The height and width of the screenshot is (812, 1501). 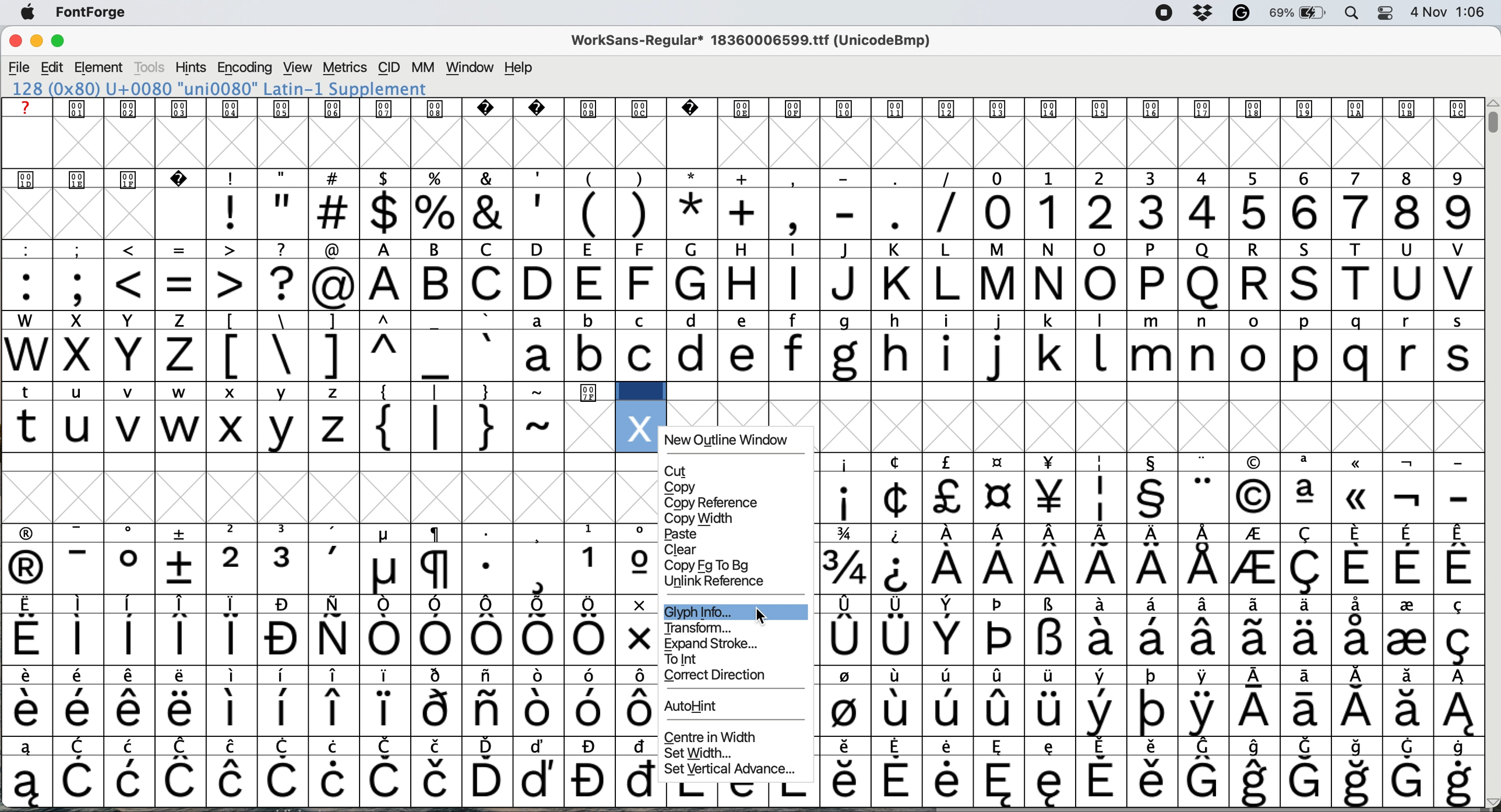 What do you see at coordinates (749, 144) in the screenshot?
I see `glyph grid` at bounding box center [749, 144].